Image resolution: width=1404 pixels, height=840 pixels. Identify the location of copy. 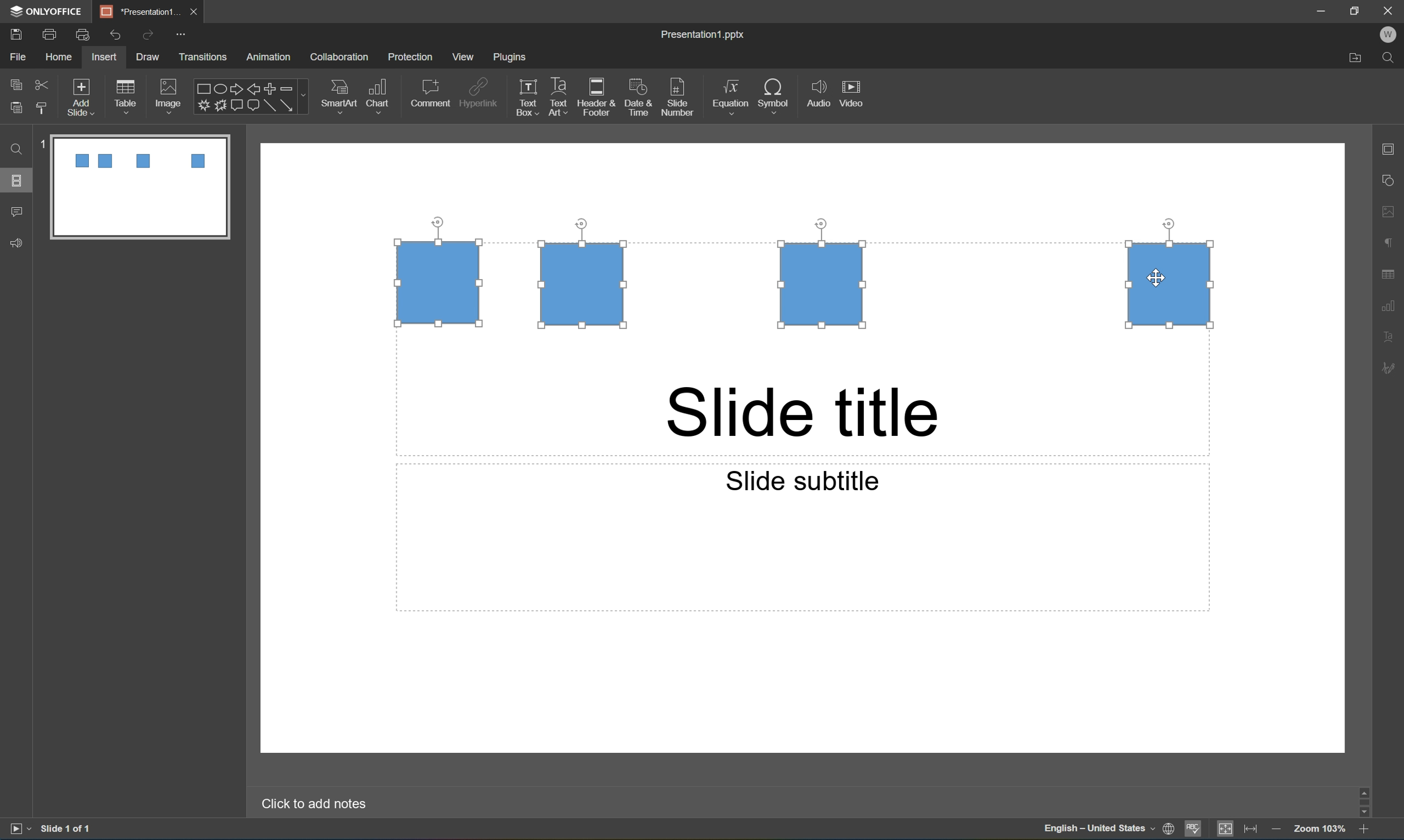
(15, 83).